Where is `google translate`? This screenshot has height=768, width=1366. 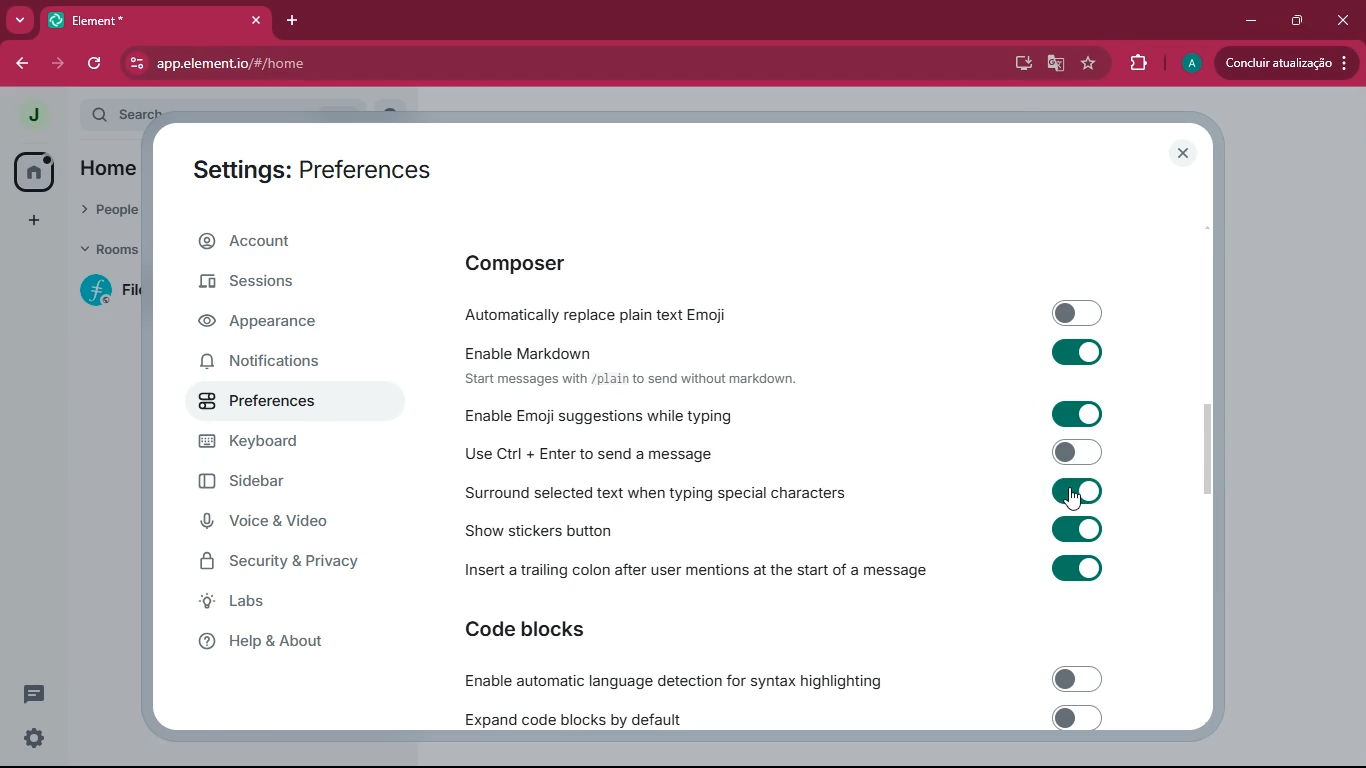 google translate is located at coordinates (1054, 65).